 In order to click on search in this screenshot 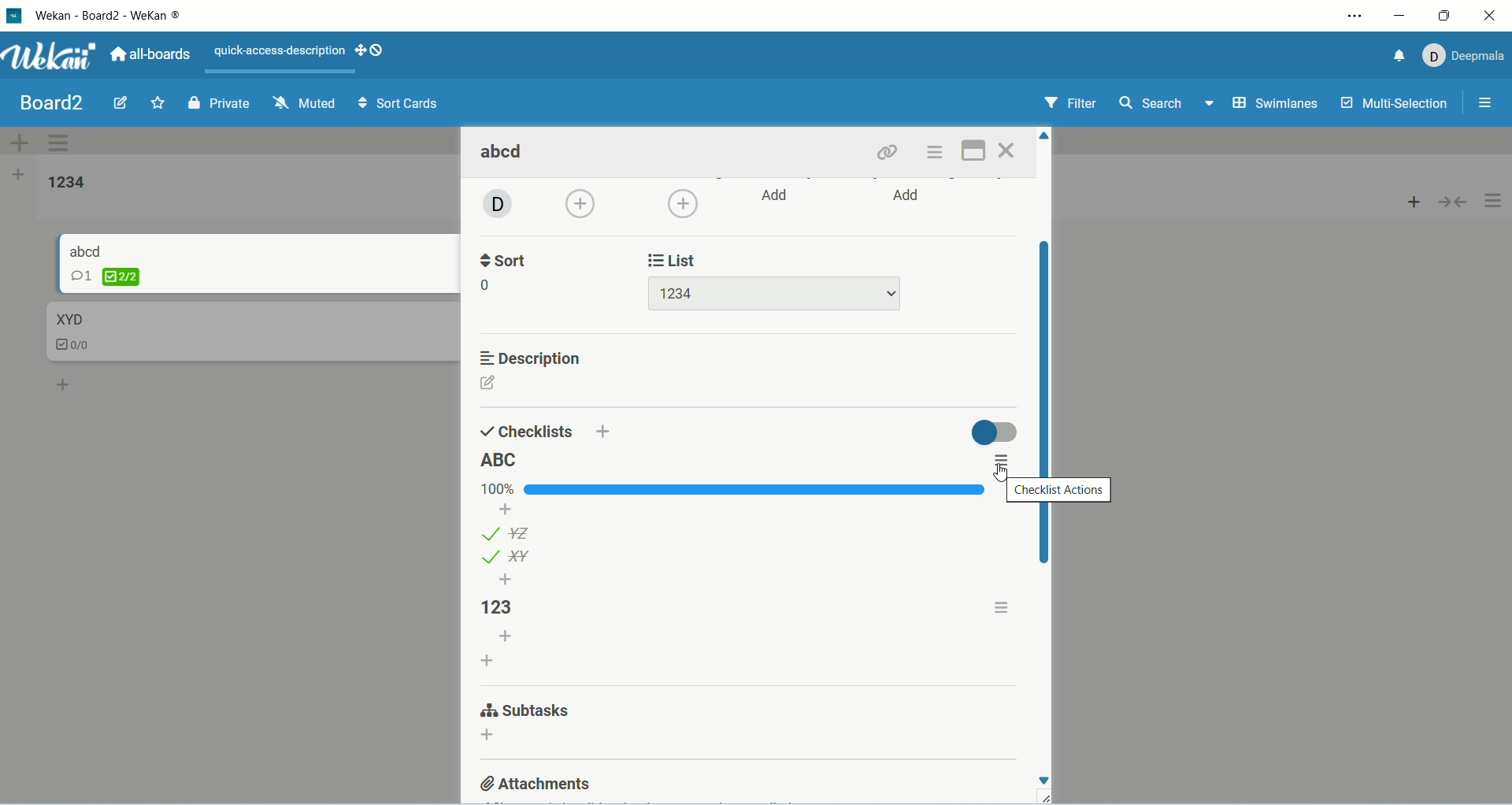, I will do `click(1169, 105)`.